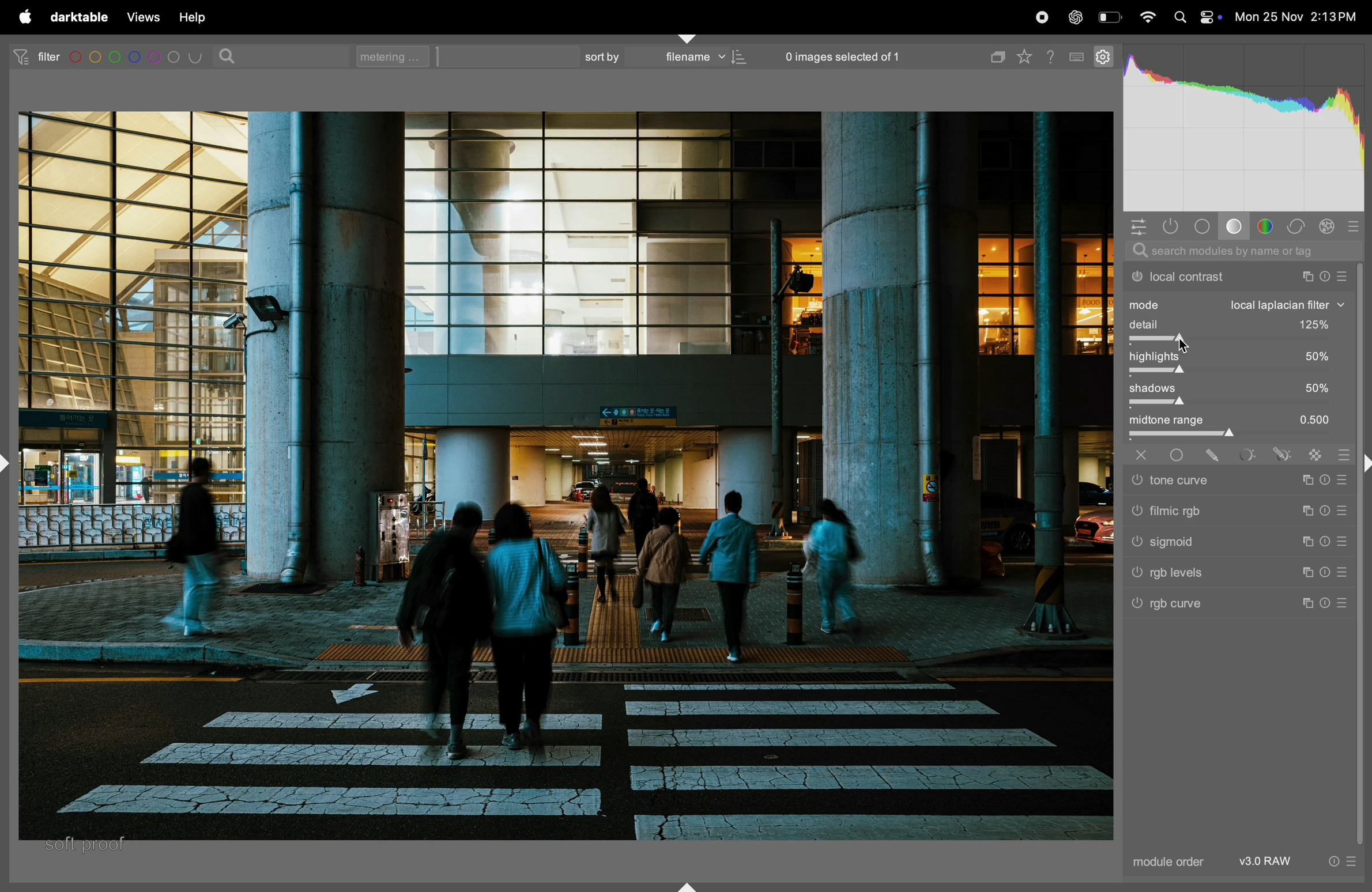 This screenshot has height=892, width=1372. I want to click on preset, so click(1343, 479).